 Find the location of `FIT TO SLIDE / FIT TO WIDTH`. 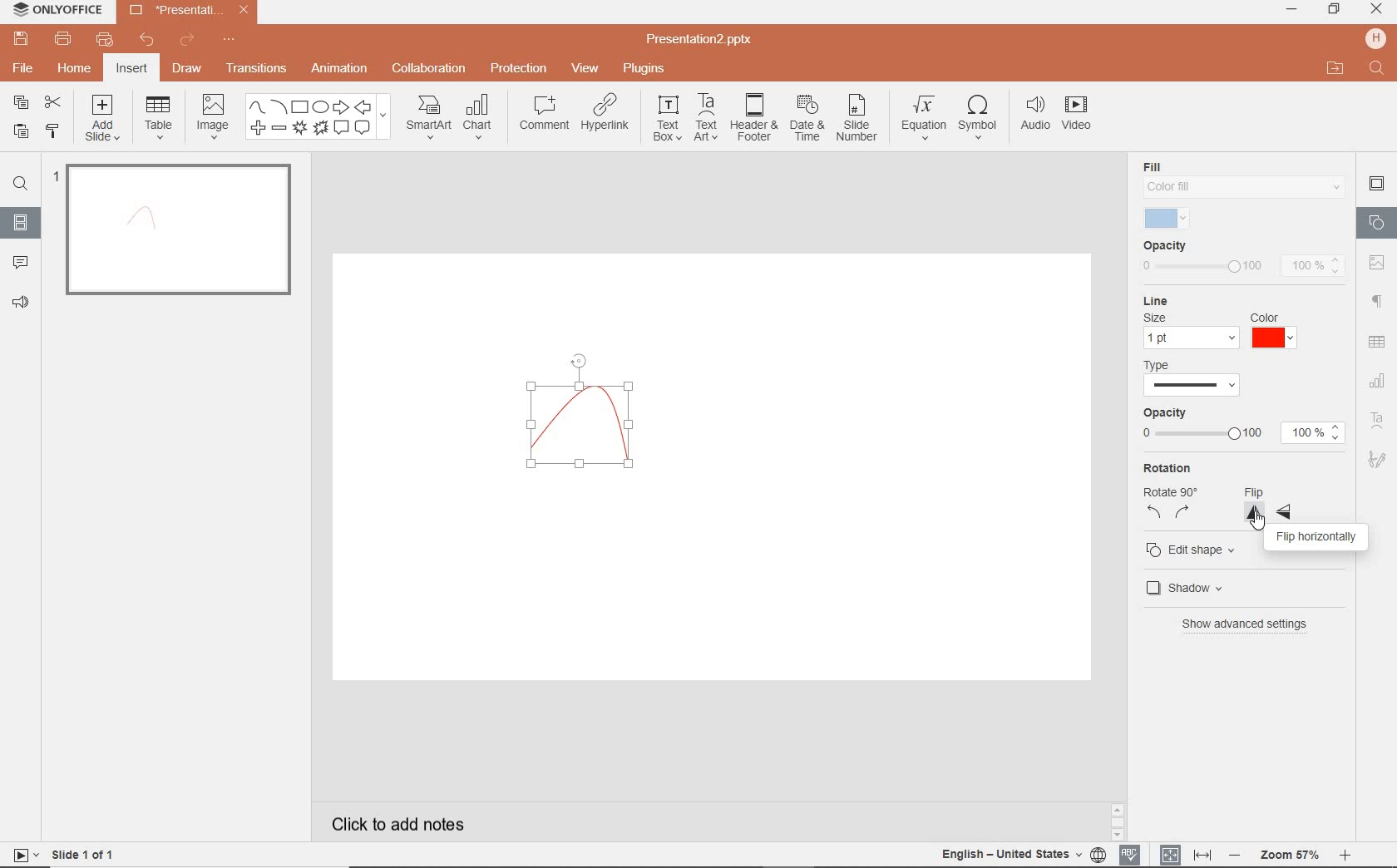

FIT TO SLIDE / FIT TO WIDTH is located at coordinates (1186, 853).